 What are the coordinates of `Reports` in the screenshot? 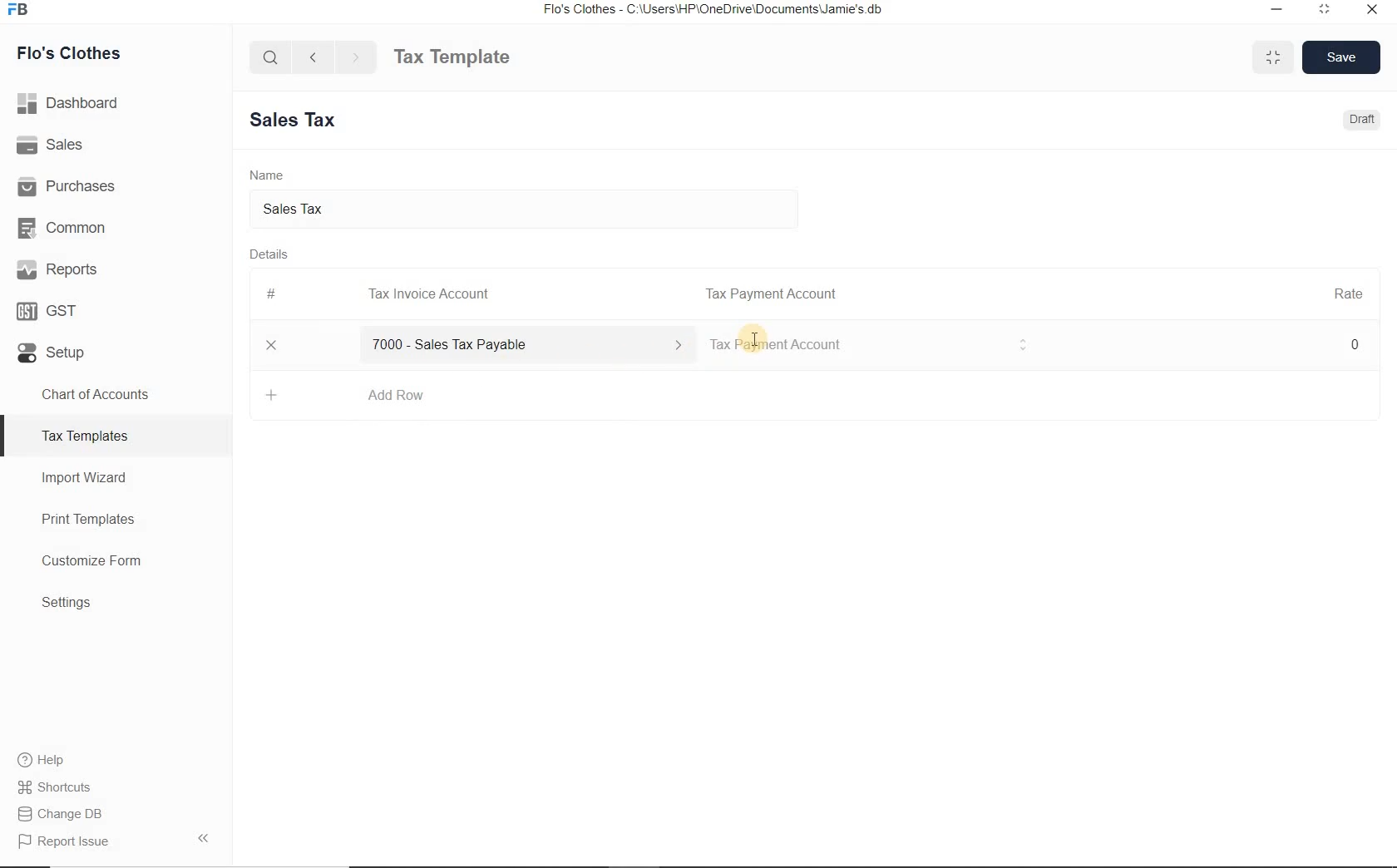 It's located at (116, 268).